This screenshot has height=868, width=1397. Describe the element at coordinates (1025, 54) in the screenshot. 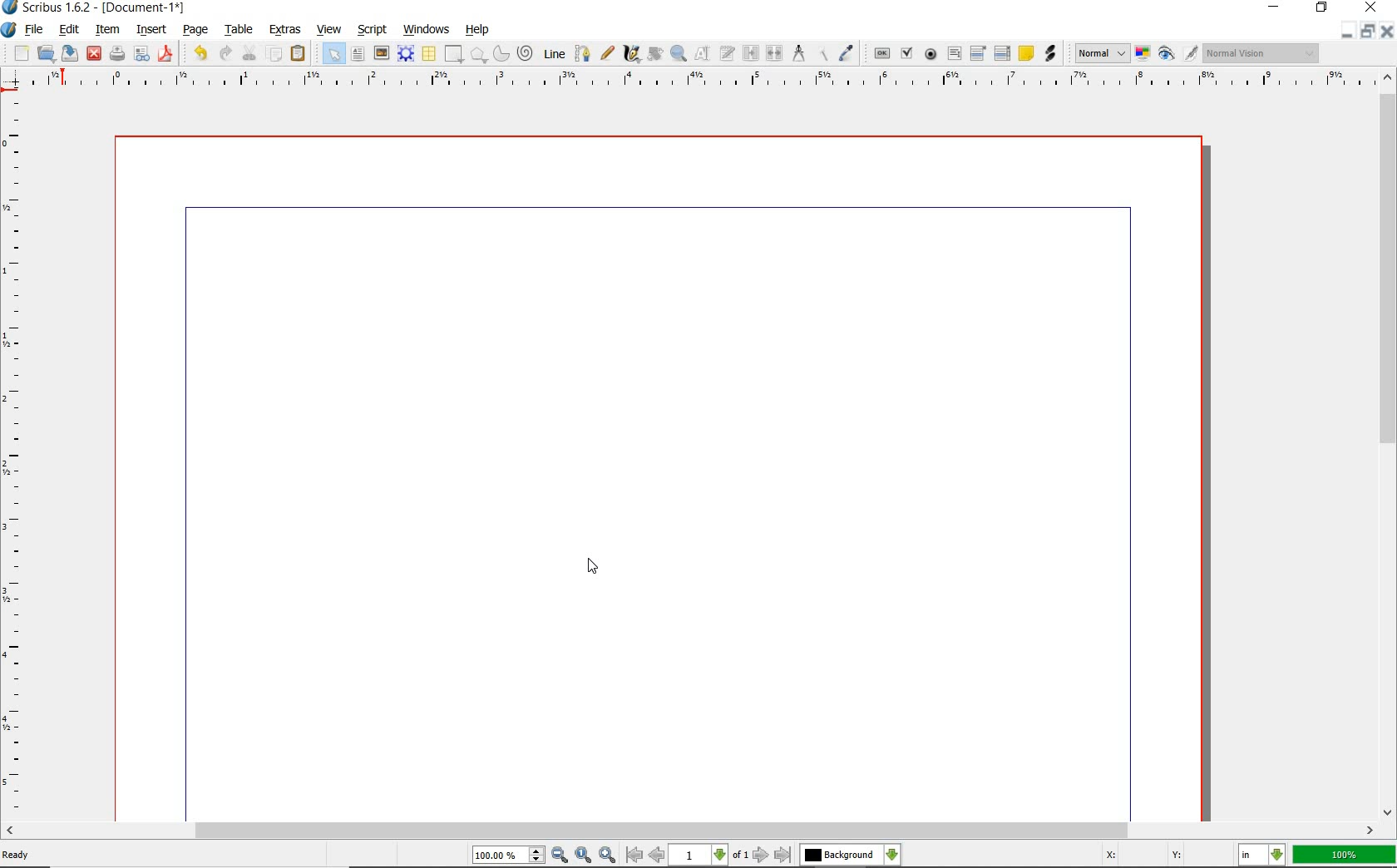

I see `text annotation` at that location.